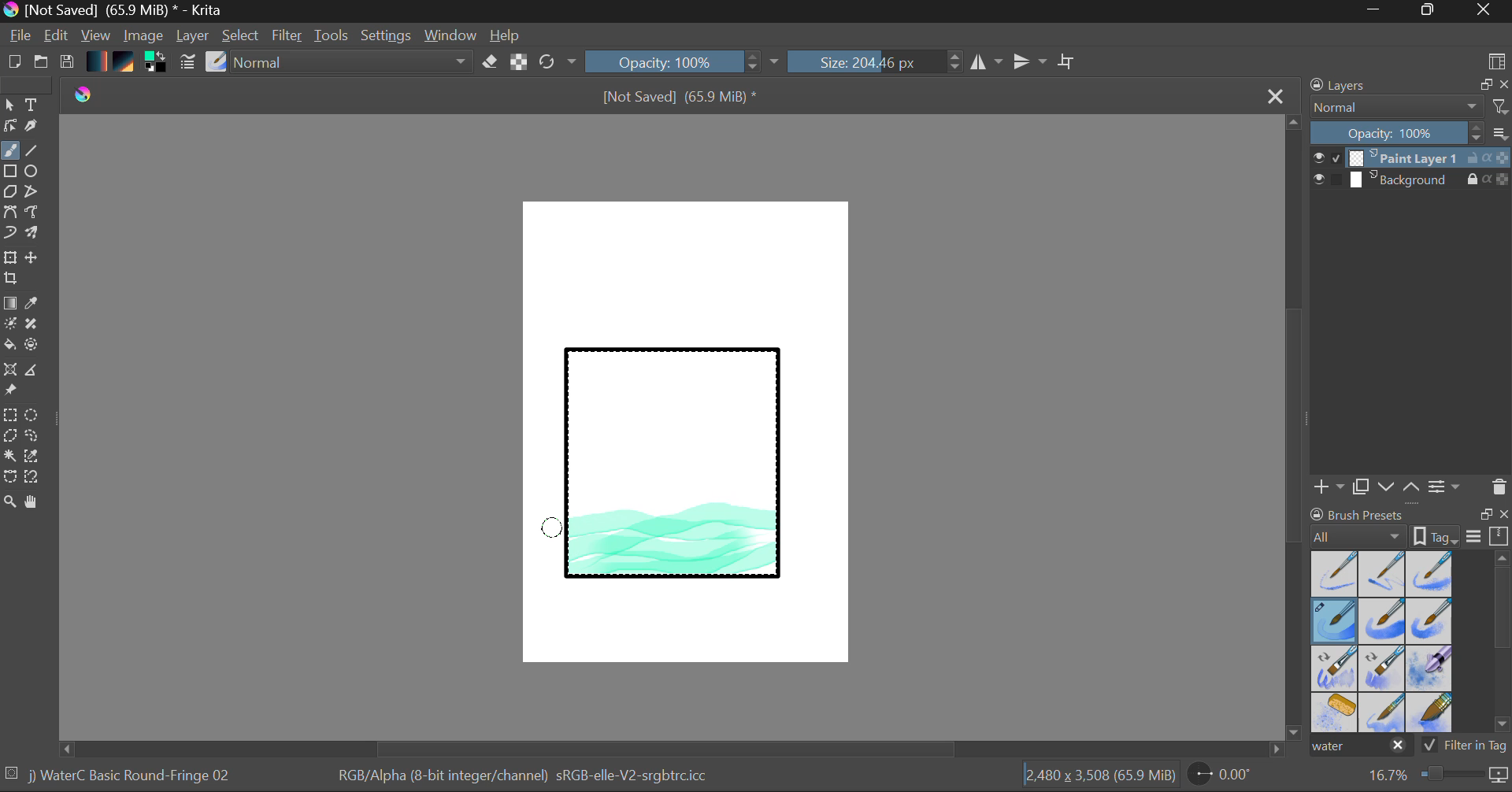 Image resolution: width=1512 pixels, height=792 pixels. What do you see at coordinates (1466, 747) in the screenshot?
I see `Filter in Tag Option` at bounding box center [1466, 747].